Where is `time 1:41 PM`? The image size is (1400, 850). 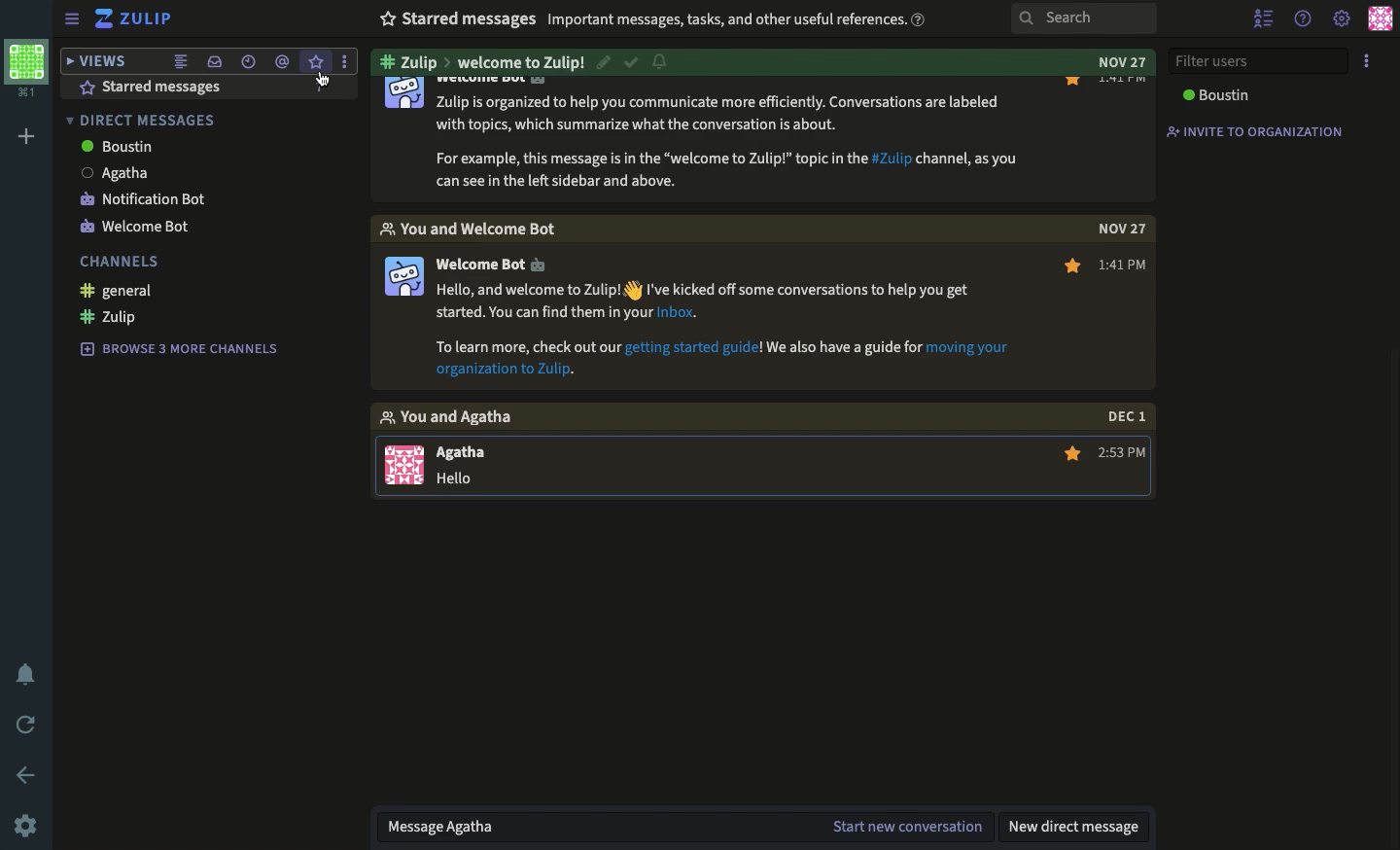 time 1:41 PM is located at coordinates (1126, 266).